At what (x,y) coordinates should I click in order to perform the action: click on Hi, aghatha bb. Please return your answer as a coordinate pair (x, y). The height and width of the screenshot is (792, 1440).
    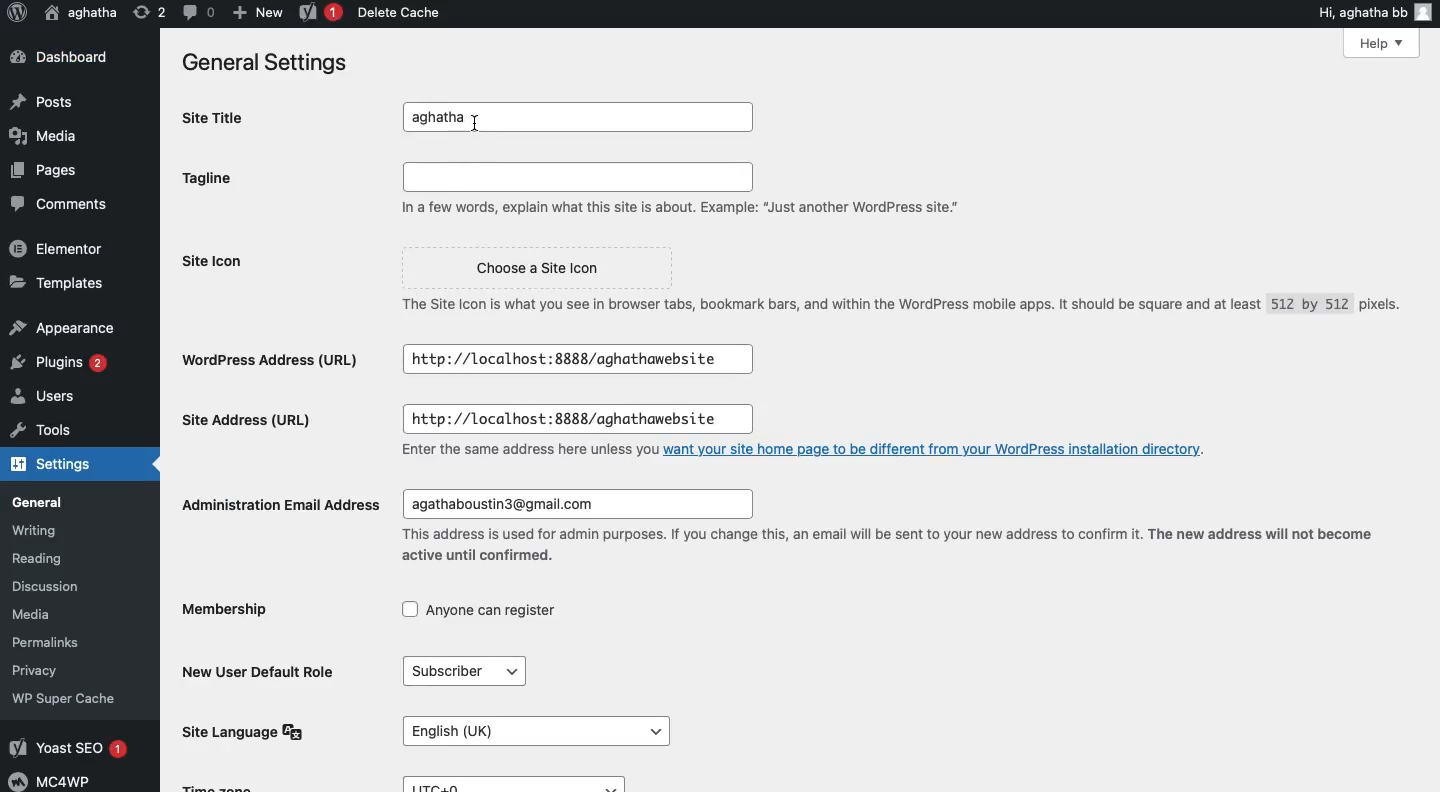
    Looking at the image, I should click on (1369, 13).